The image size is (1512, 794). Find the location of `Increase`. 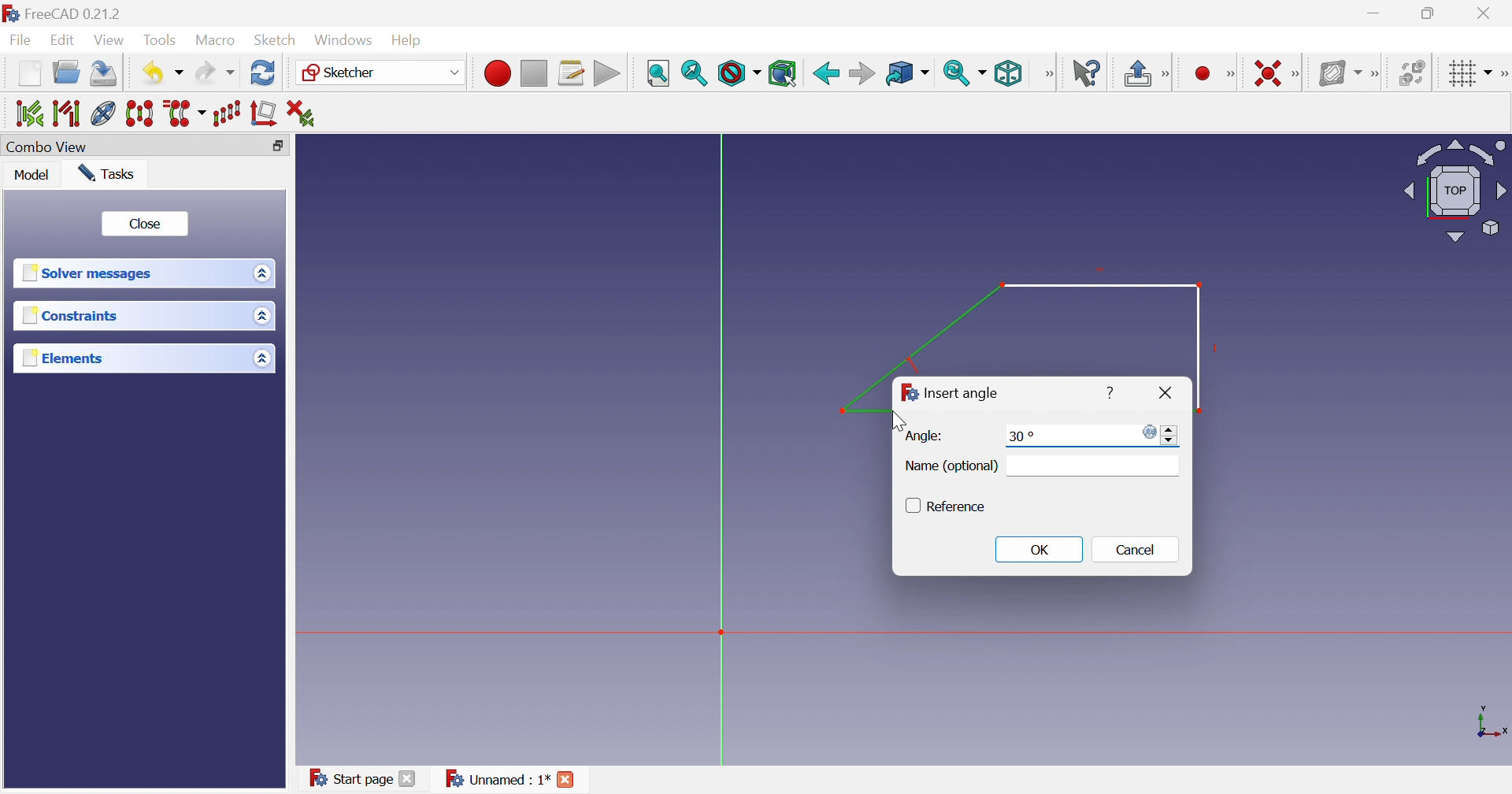

Increase is located at coordinates (1170, 429).